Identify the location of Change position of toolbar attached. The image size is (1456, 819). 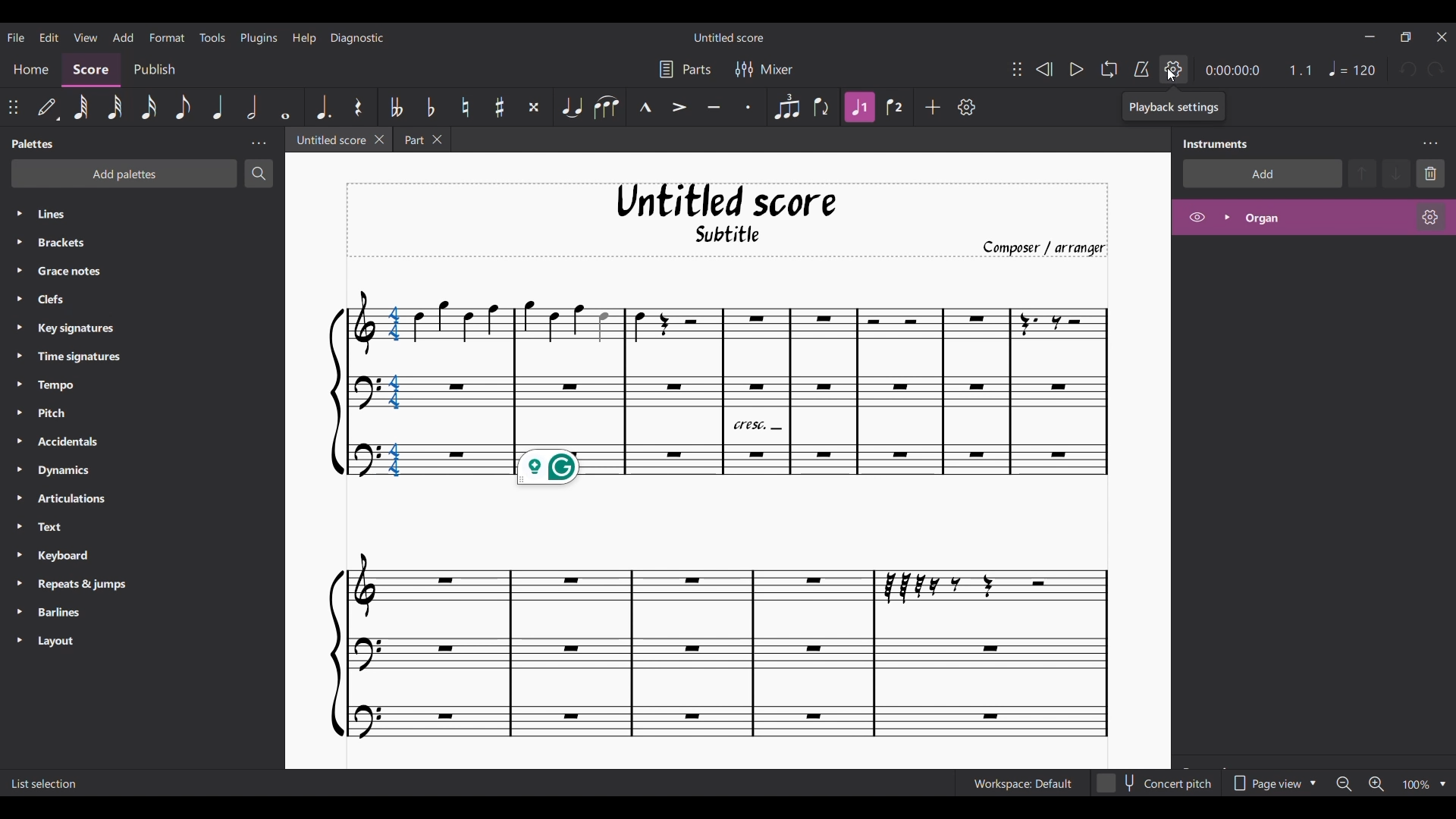
(1017, 69).